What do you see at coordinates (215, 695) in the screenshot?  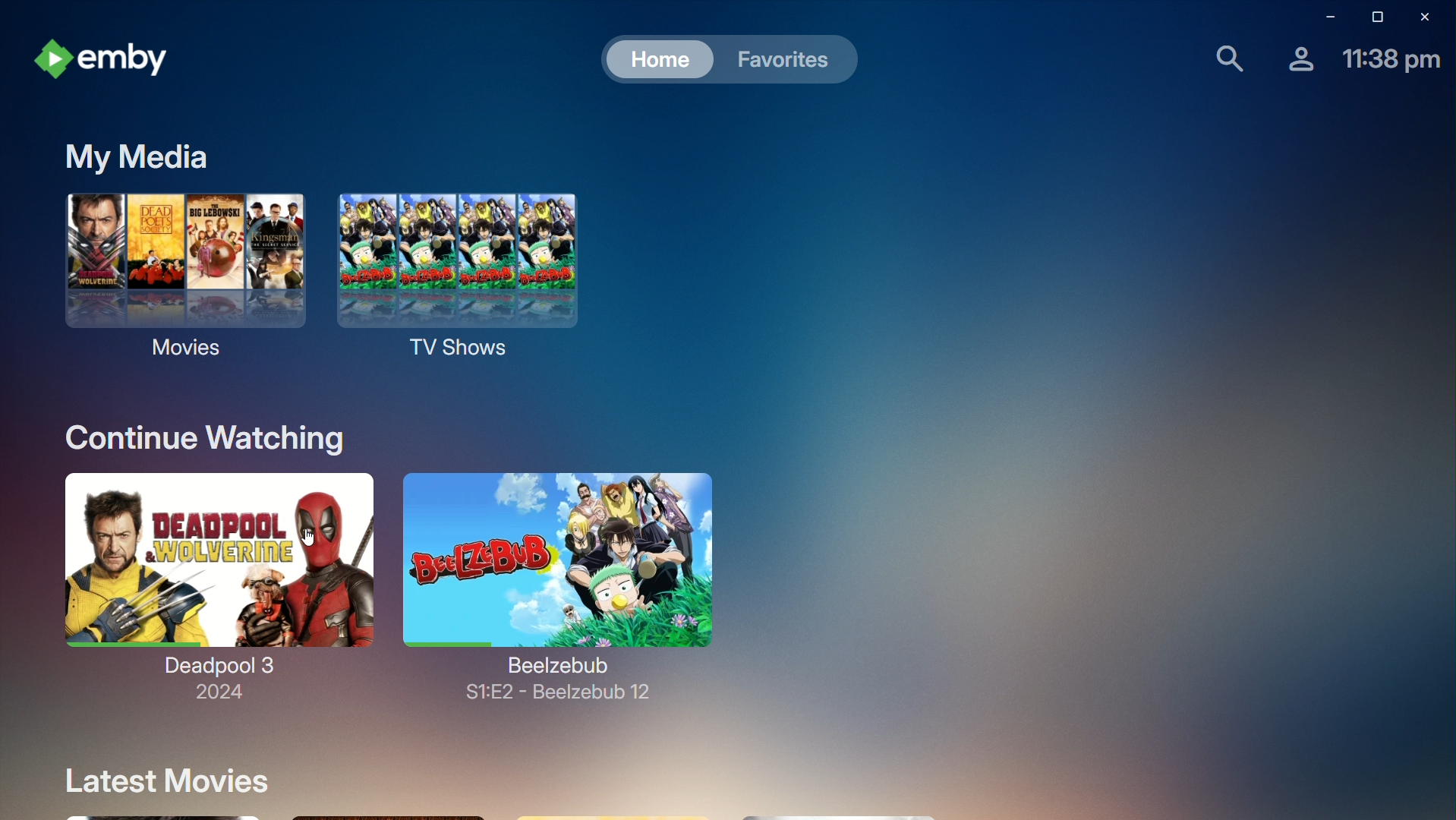 I see `2024` at bounding box center [215, 695].